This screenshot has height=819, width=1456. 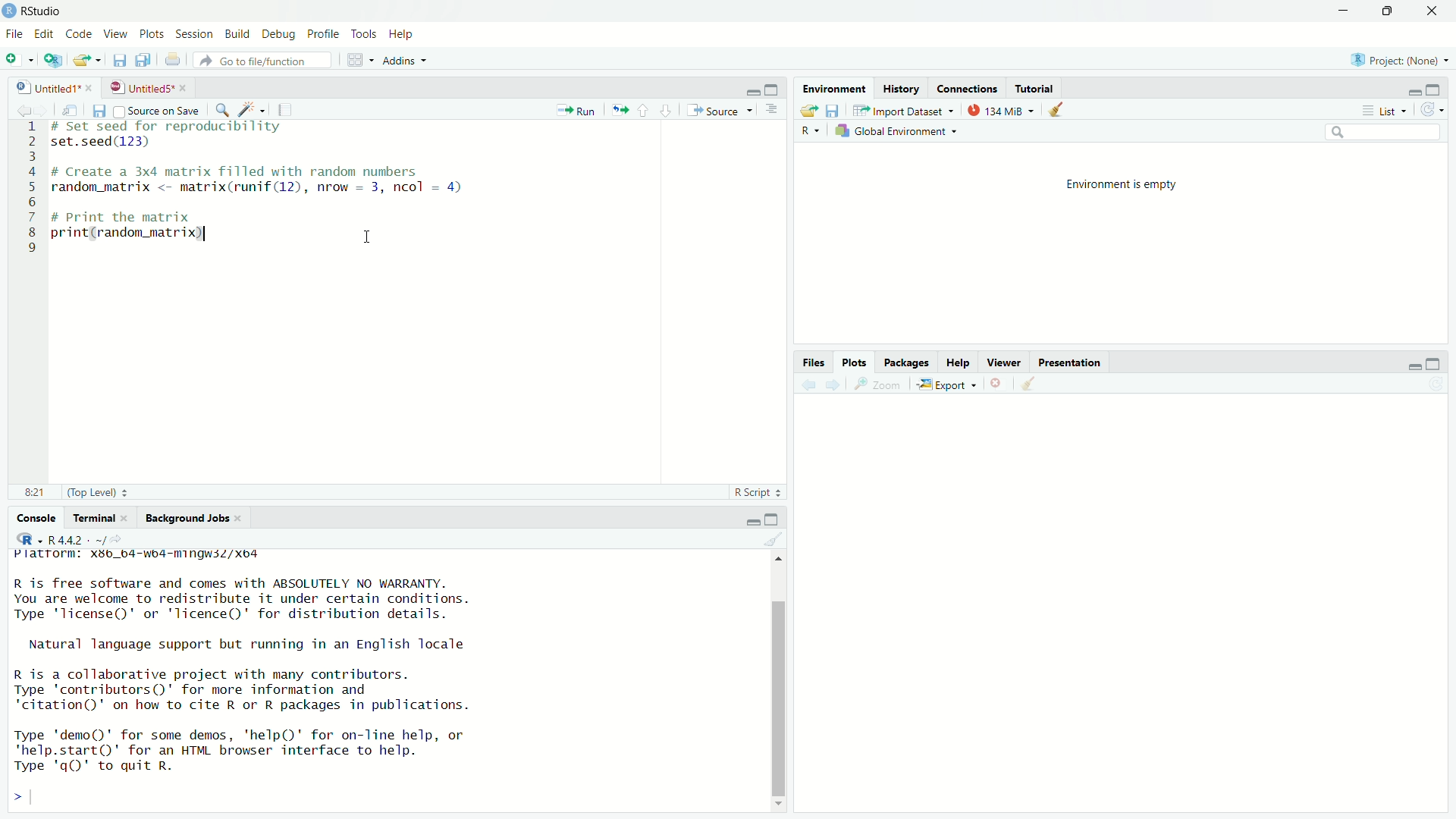 What do you see at coordinates (1436, 12) in the screenshot?
I see `close` at bounding box center [1436, 12].